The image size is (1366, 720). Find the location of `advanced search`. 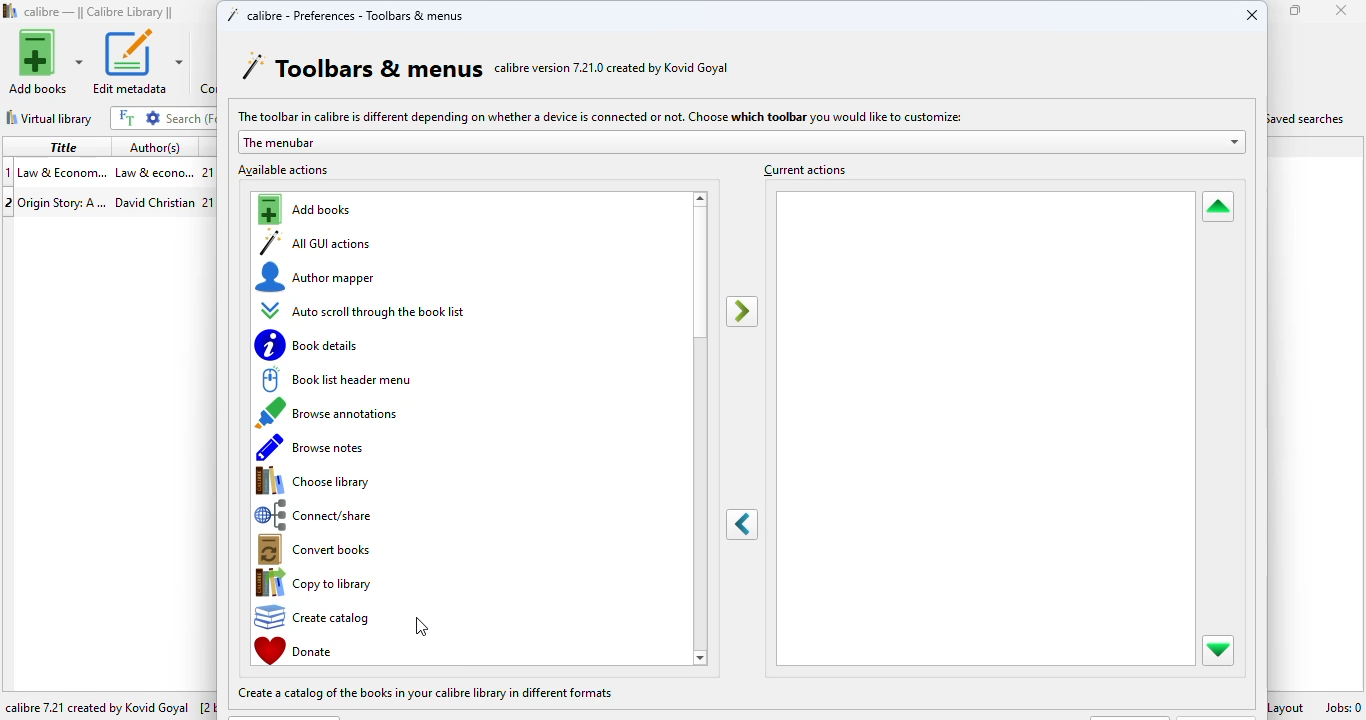

advanced search is located at coordinates (153, 118).